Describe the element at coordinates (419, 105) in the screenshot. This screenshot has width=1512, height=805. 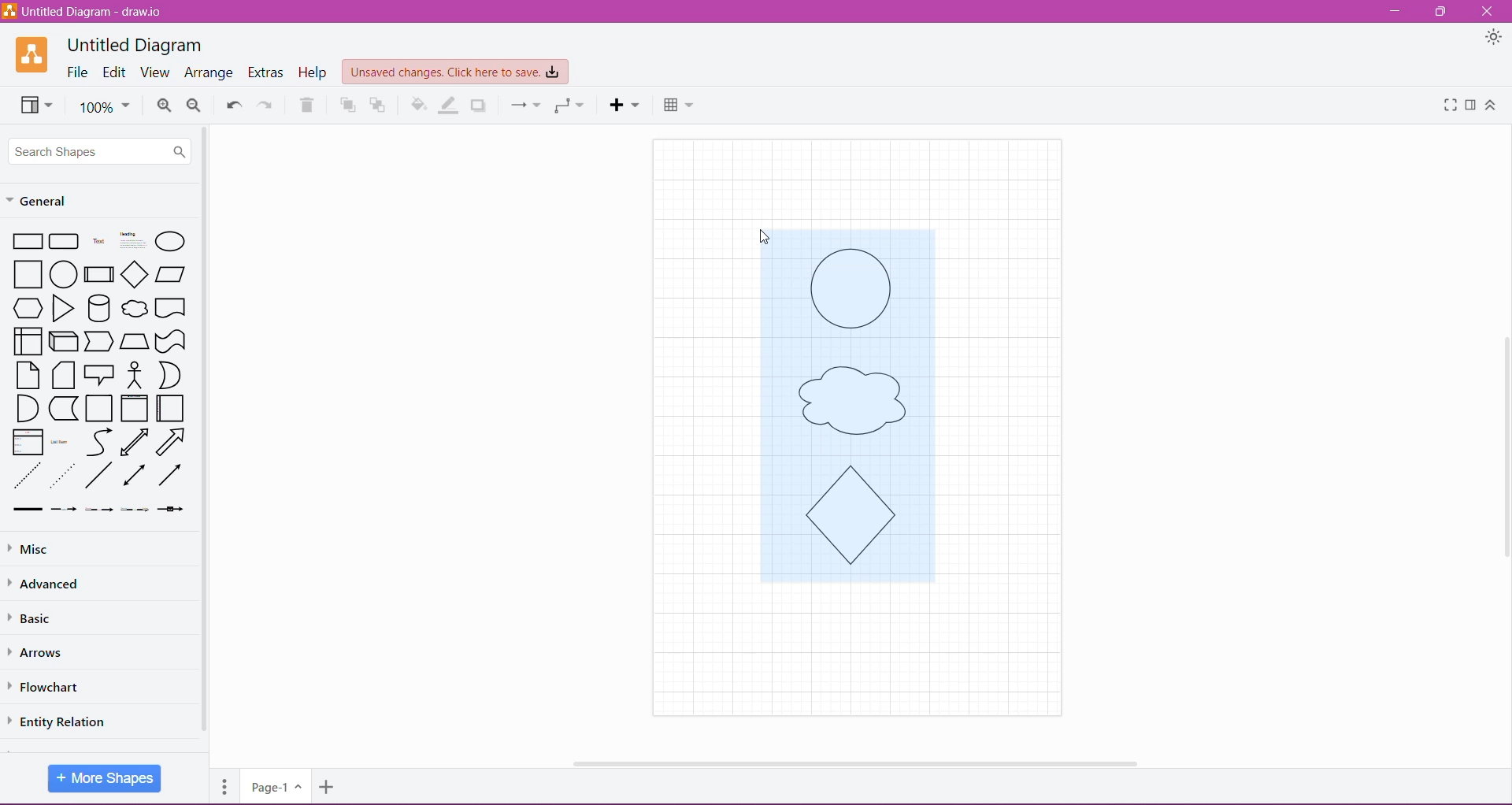
I see `Fill Color` at that location.